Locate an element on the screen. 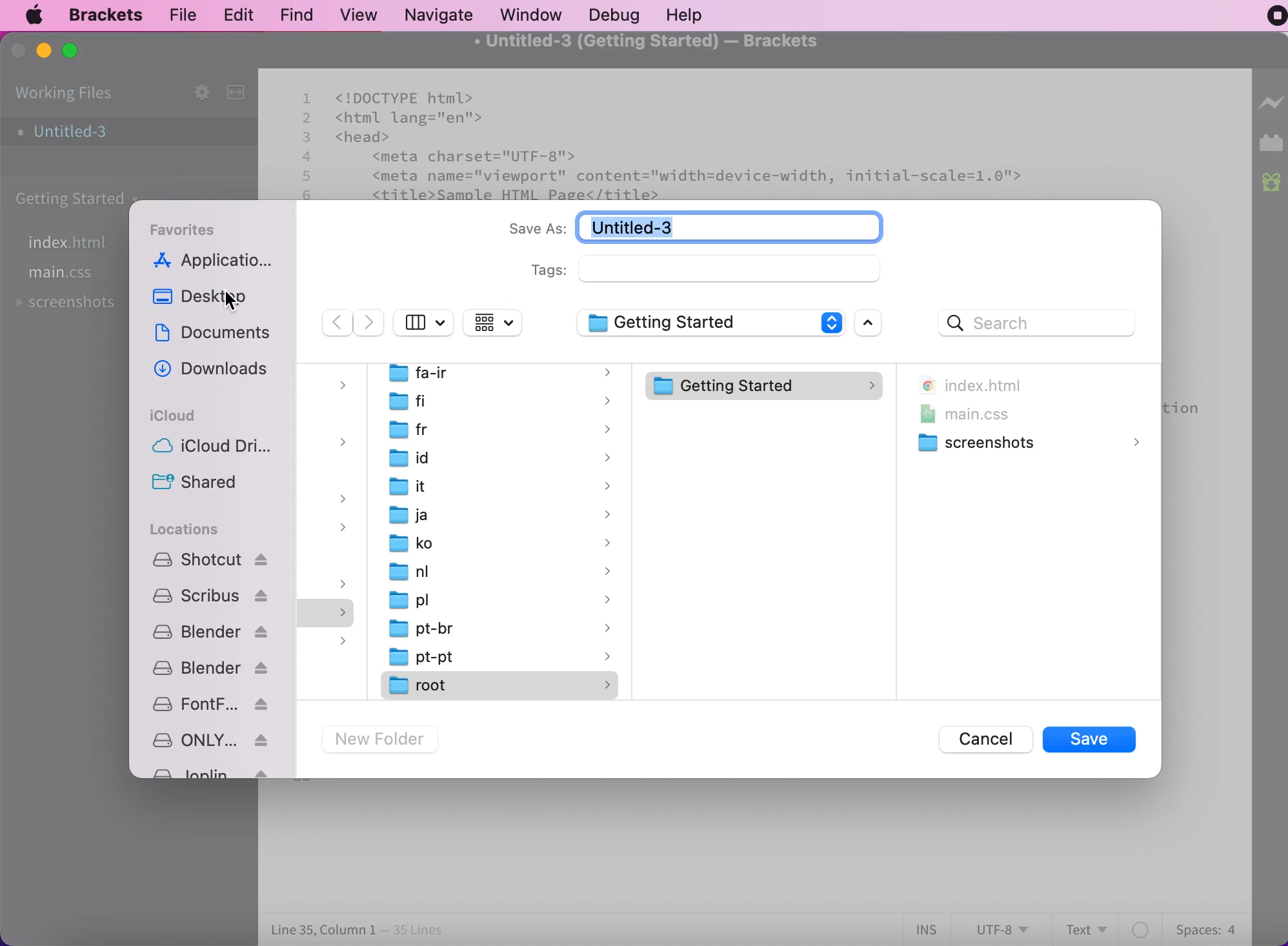  documents is located at coordinates (217, 334).